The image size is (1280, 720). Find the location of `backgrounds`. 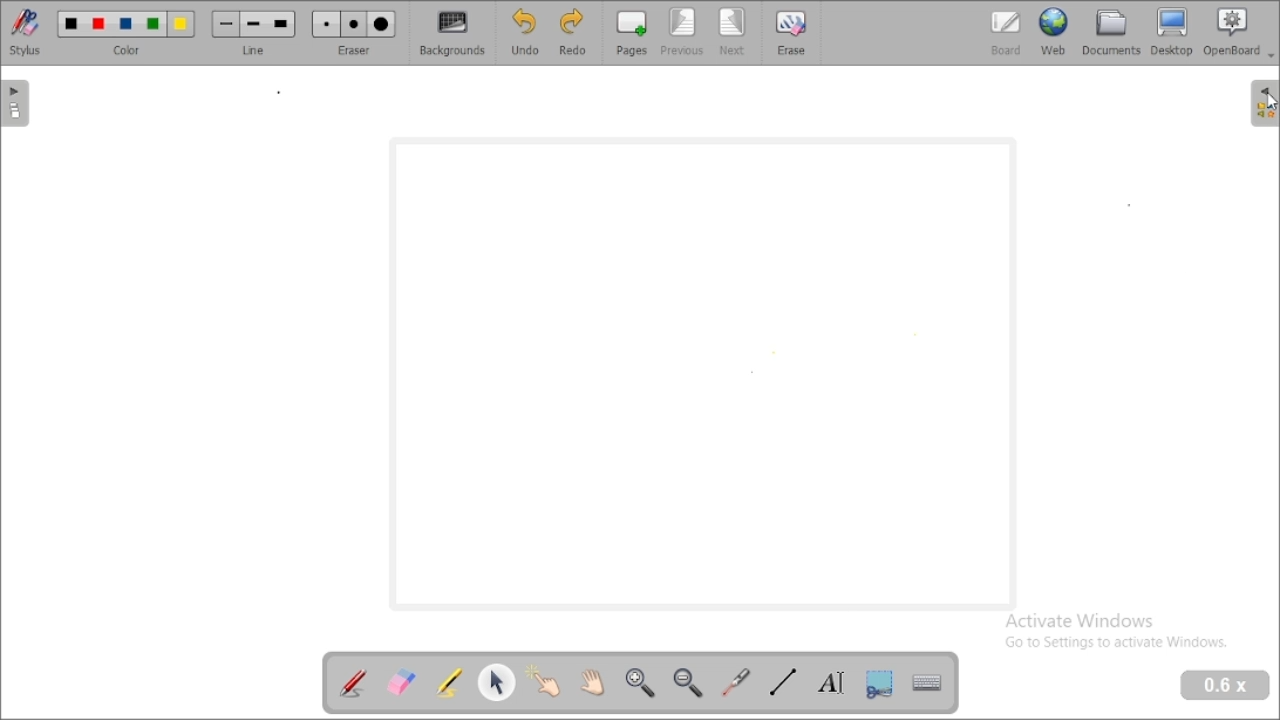

backgrounds is located at coordinates (451, 33).